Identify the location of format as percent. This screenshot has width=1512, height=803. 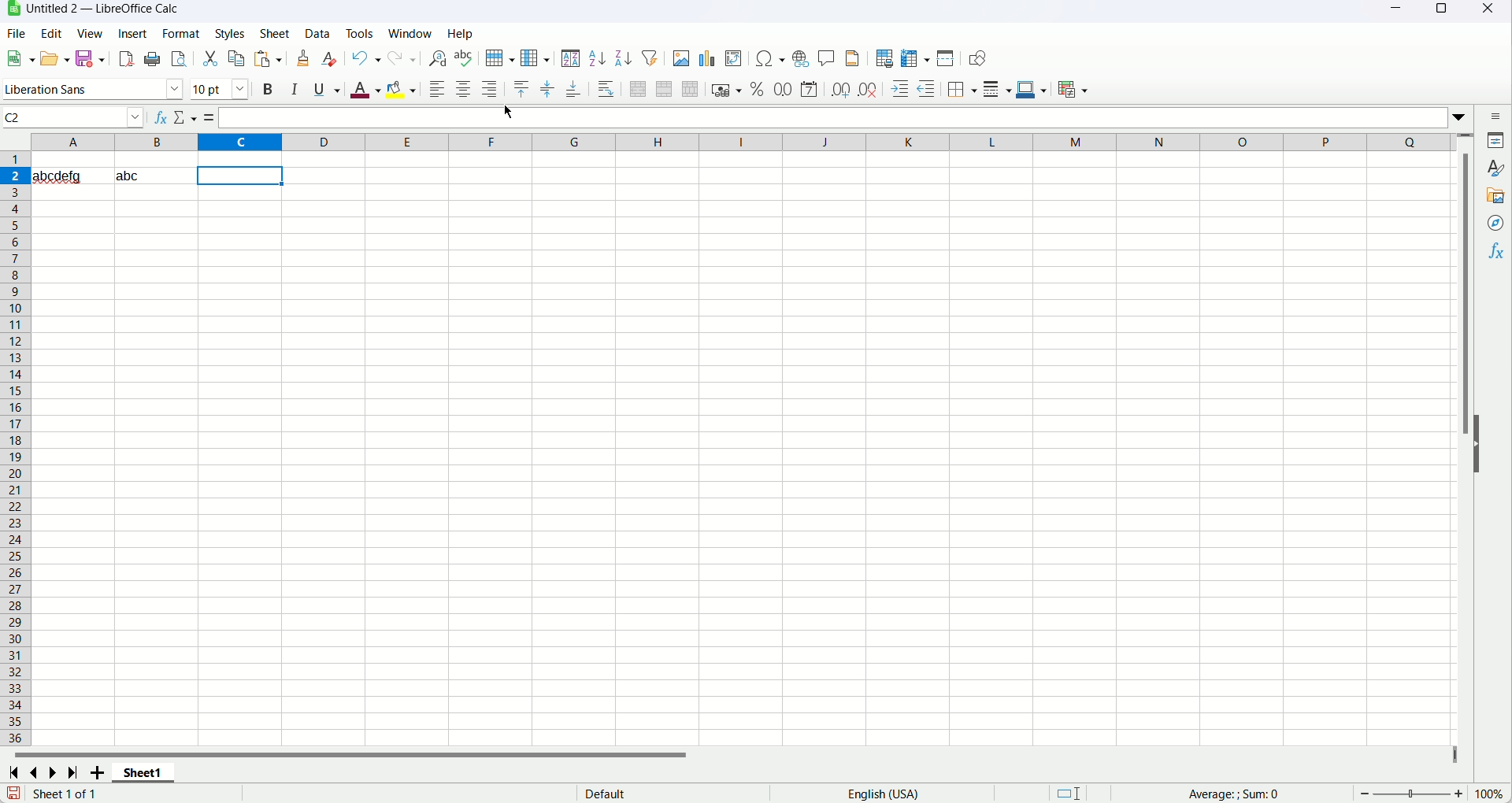
(759, 90).